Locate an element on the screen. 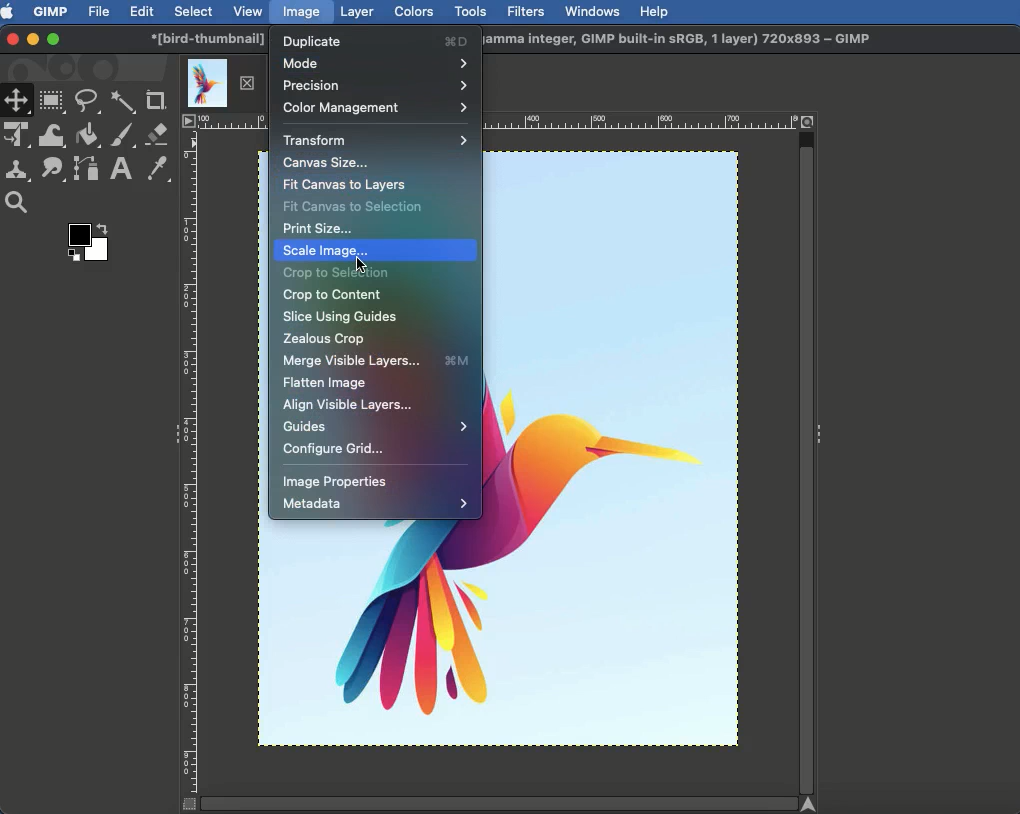 This screenshot has width=1020, height=814. Options is located at coordinates (187, 119).